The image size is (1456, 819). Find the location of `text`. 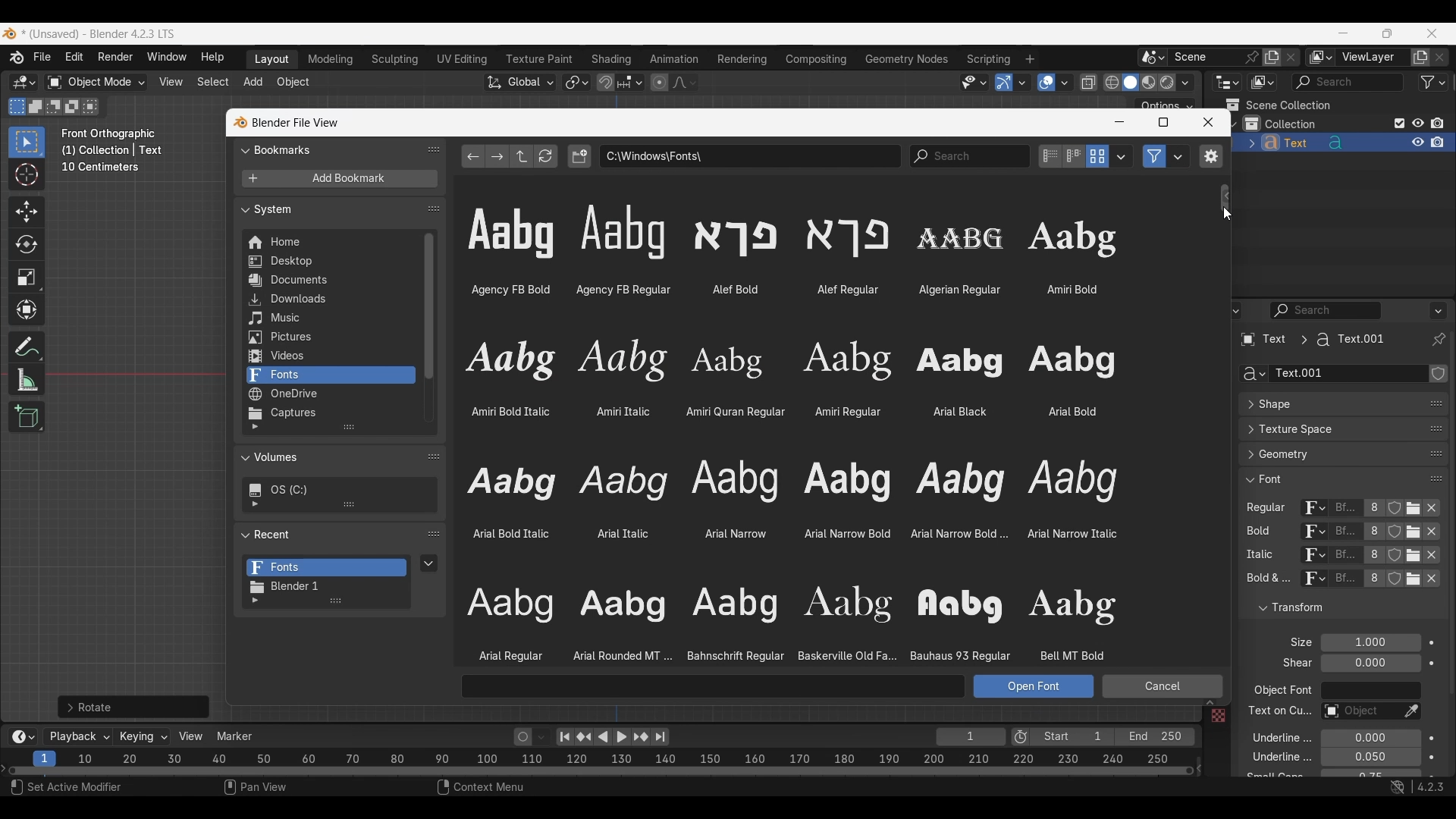

text is located at coordinates (1266, 580).